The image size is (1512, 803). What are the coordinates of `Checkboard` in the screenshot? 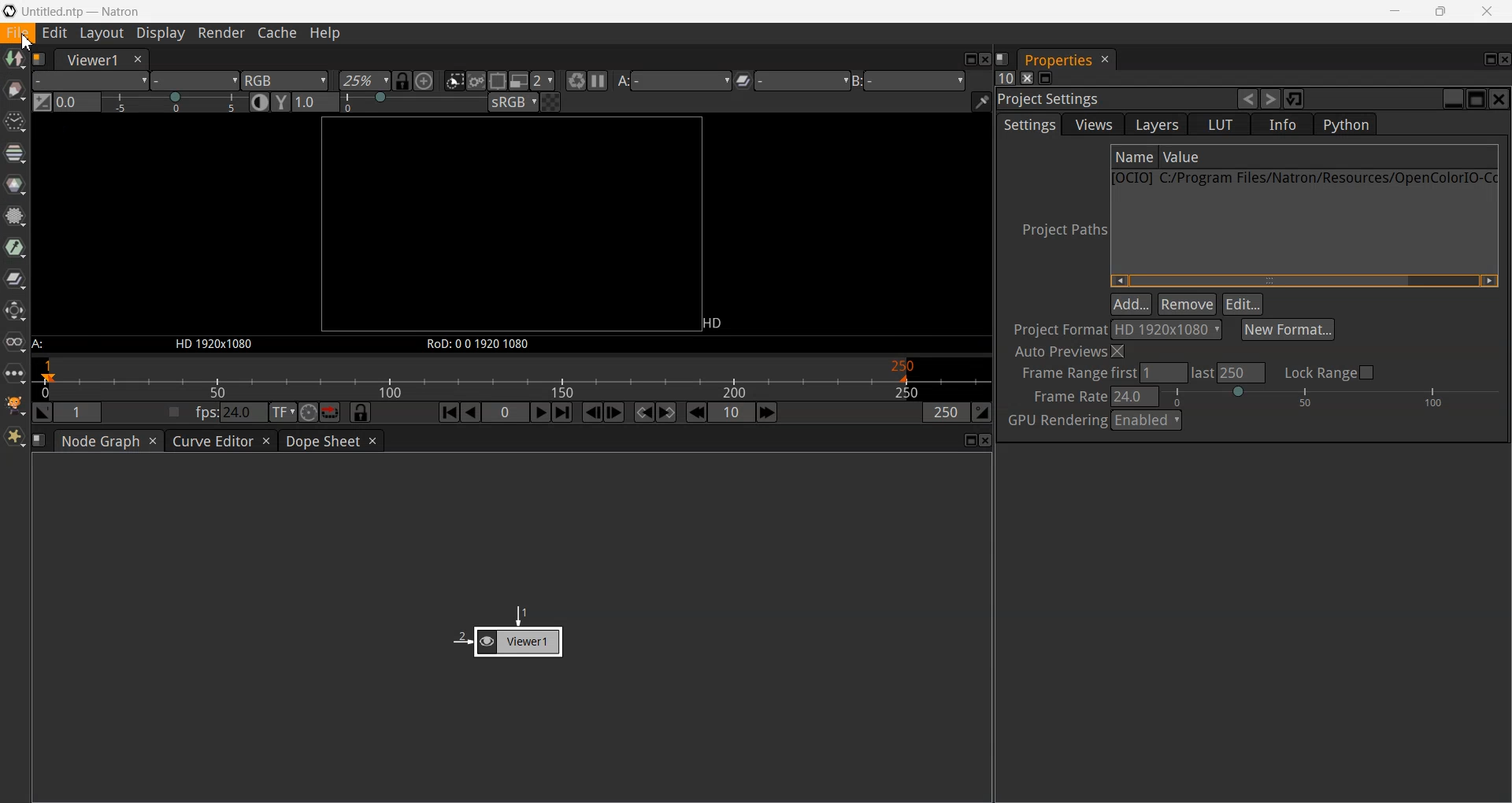 It's located at (552, 102).